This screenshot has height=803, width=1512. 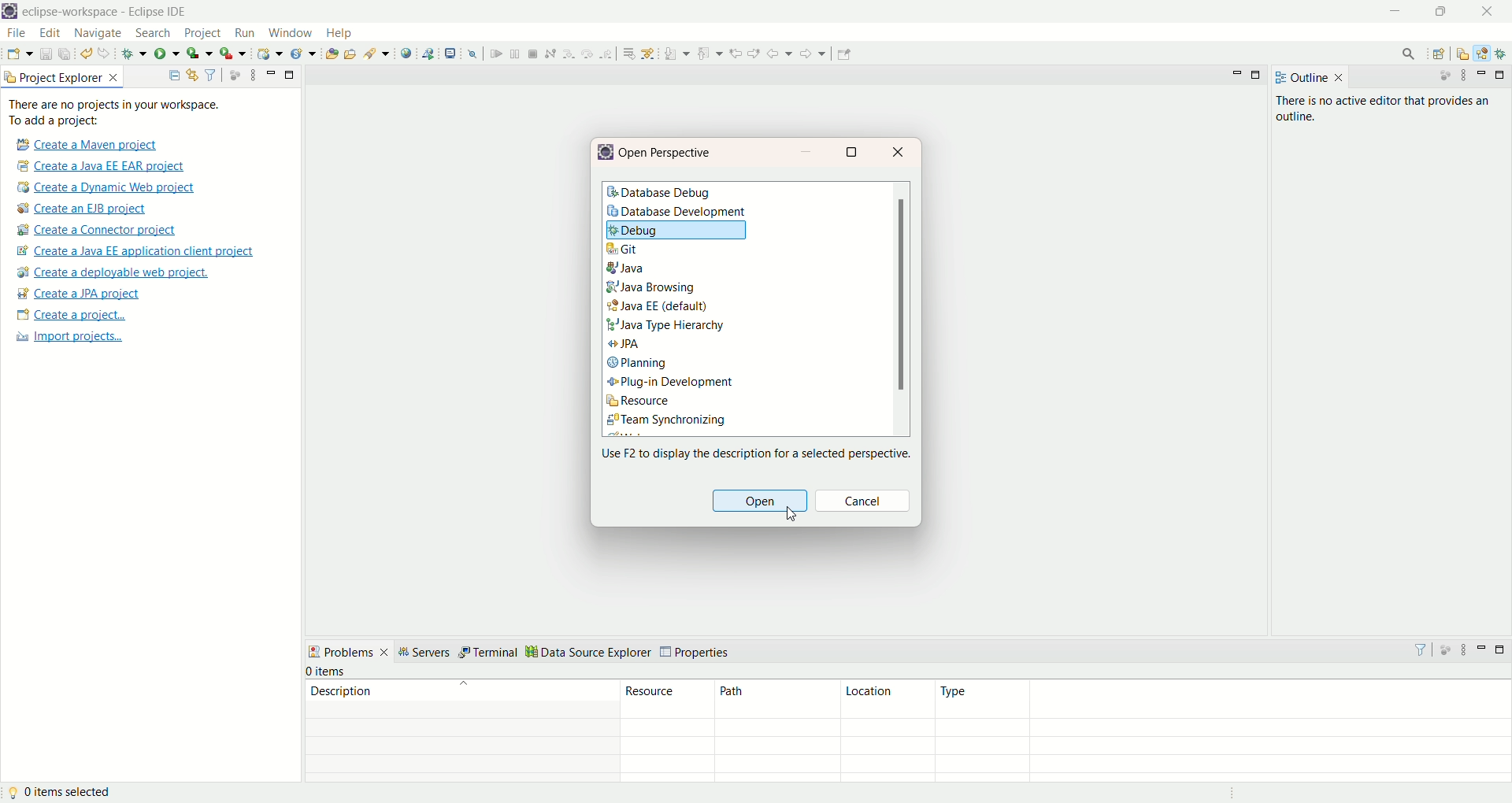 I want to click on Java EE, so click(x=660, y=305).